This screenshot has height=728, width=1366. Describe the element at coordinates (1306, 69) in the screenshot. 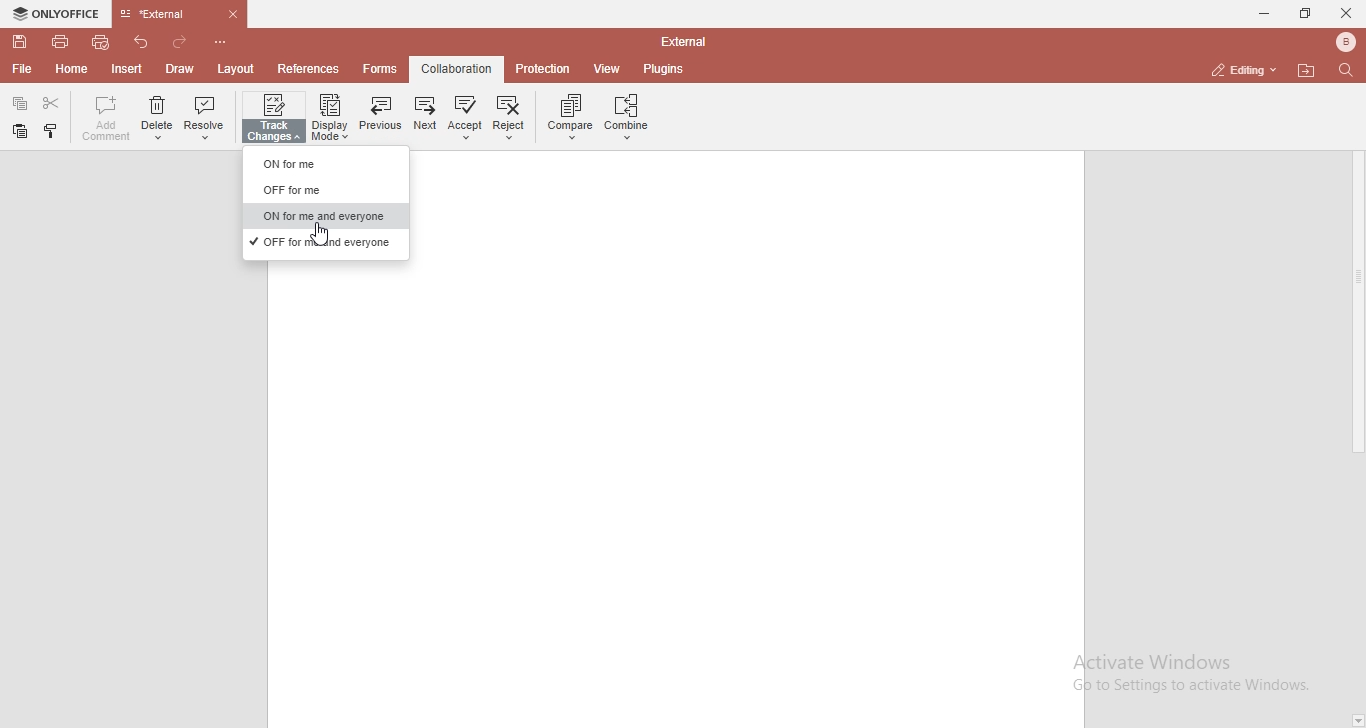

I see `open file location` at that location.